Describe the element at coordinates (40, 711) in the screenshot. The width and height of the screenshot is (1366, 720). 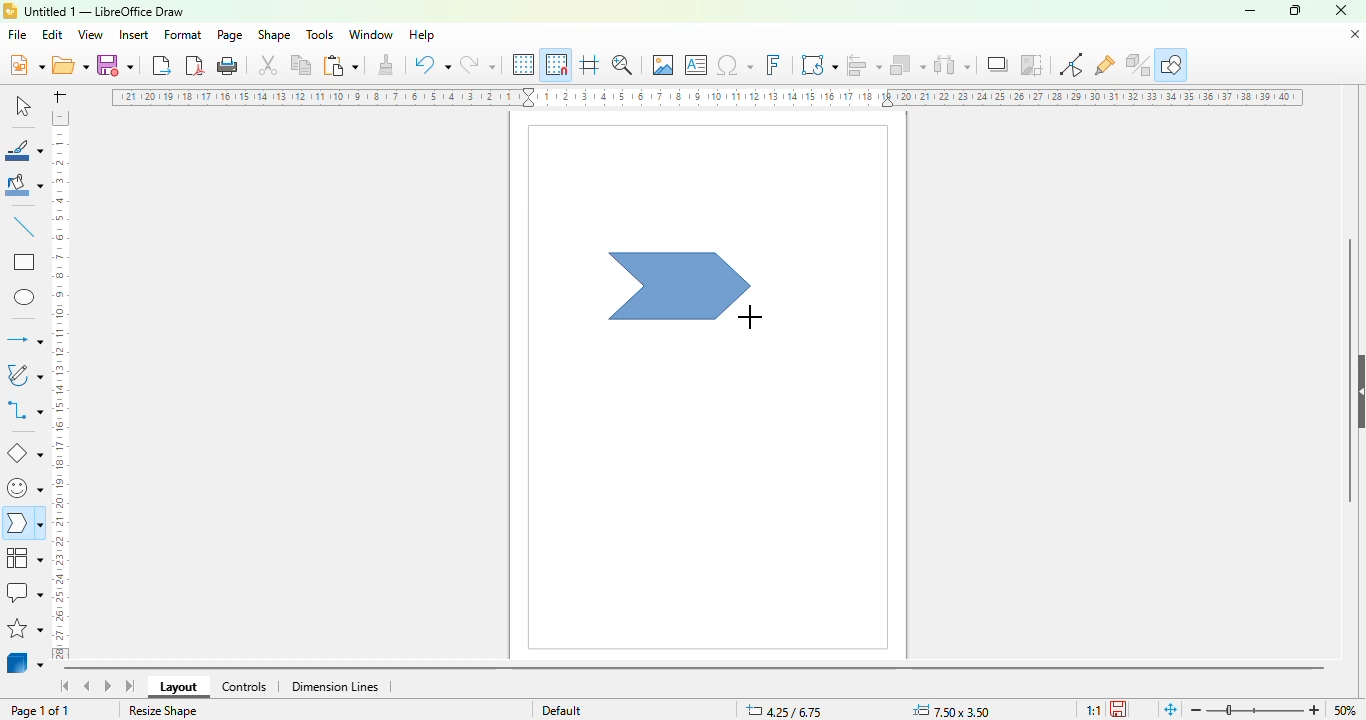
I see `page 1 of 1` at that location.